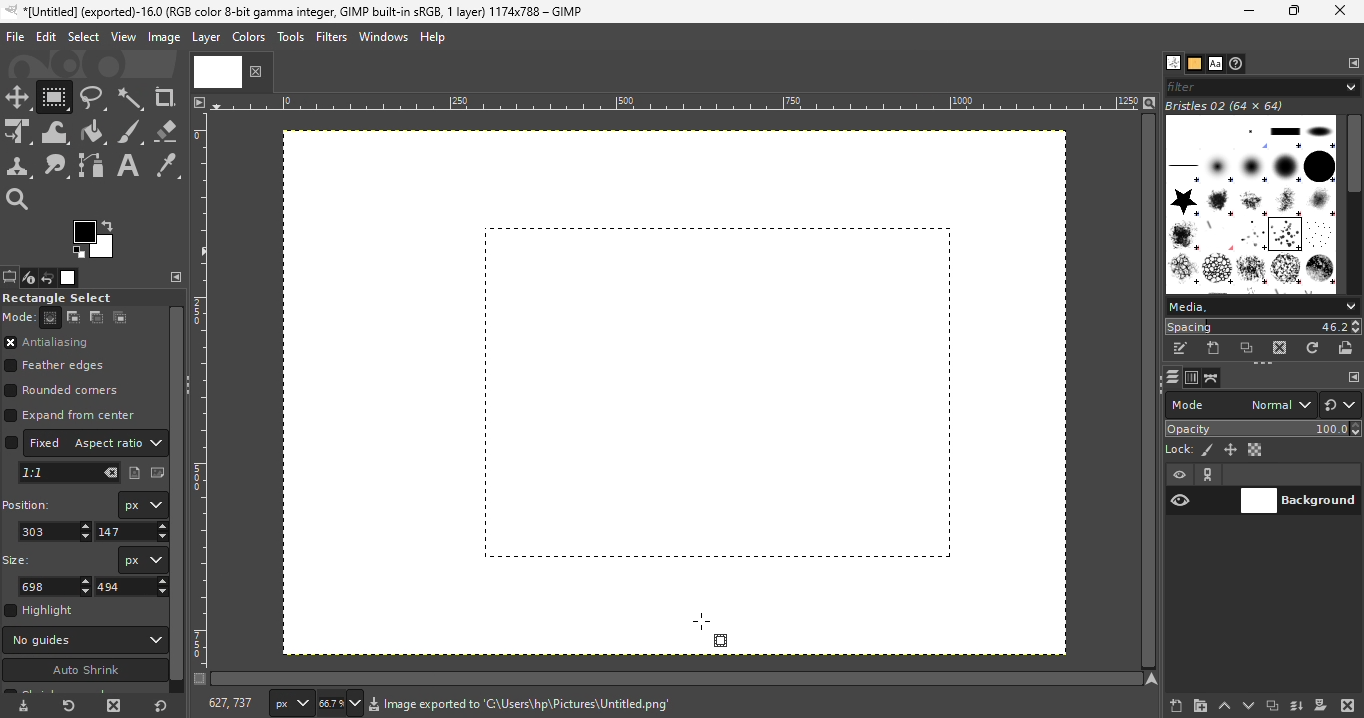  What do you see at coordinates (173, 278) in the screenshot?
I see `Configure this tab` at bounding box center [173, 278].